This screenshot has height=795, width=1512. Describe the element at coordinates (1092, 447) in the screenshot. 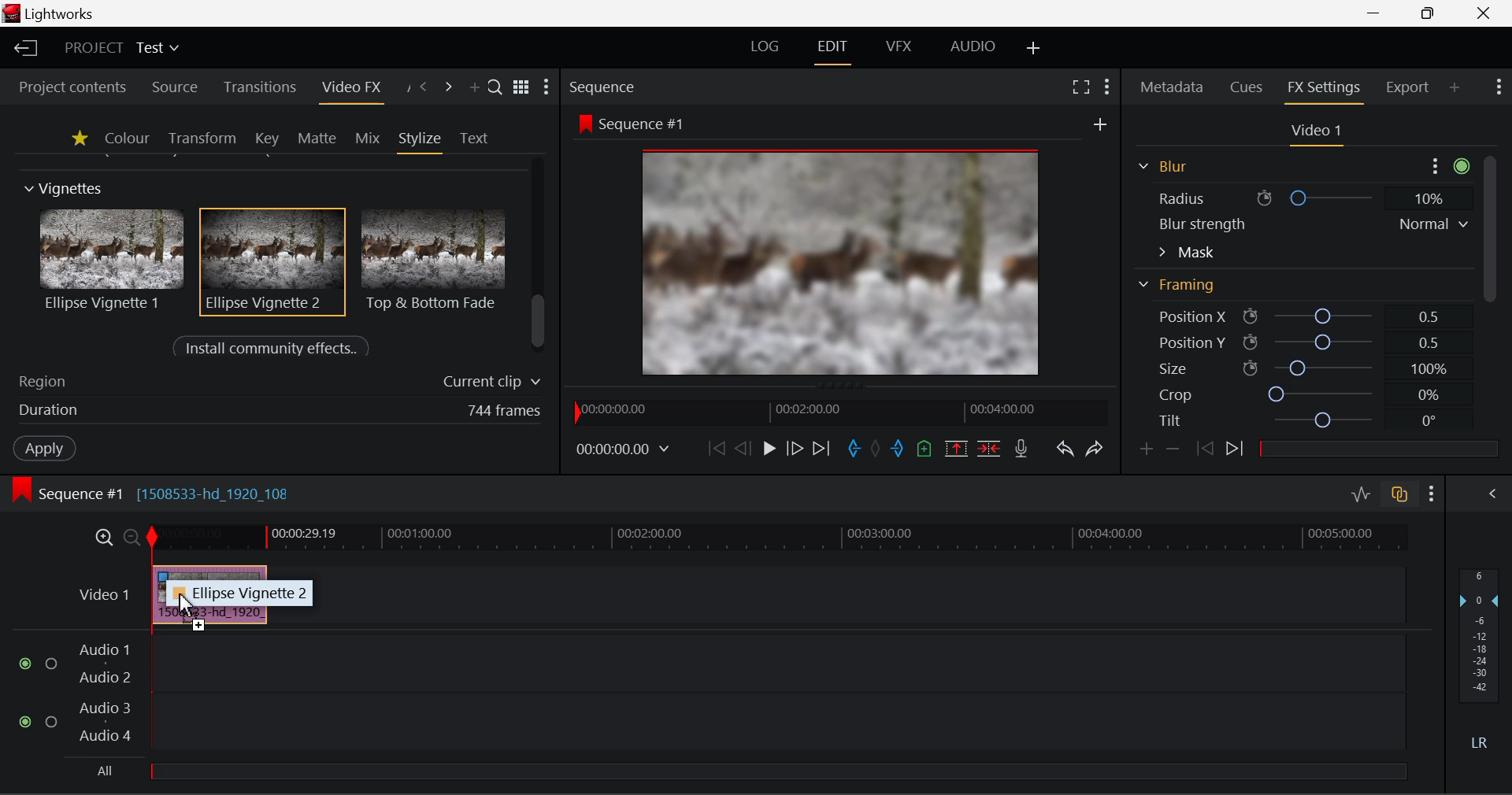

I see `Redo` at that location.